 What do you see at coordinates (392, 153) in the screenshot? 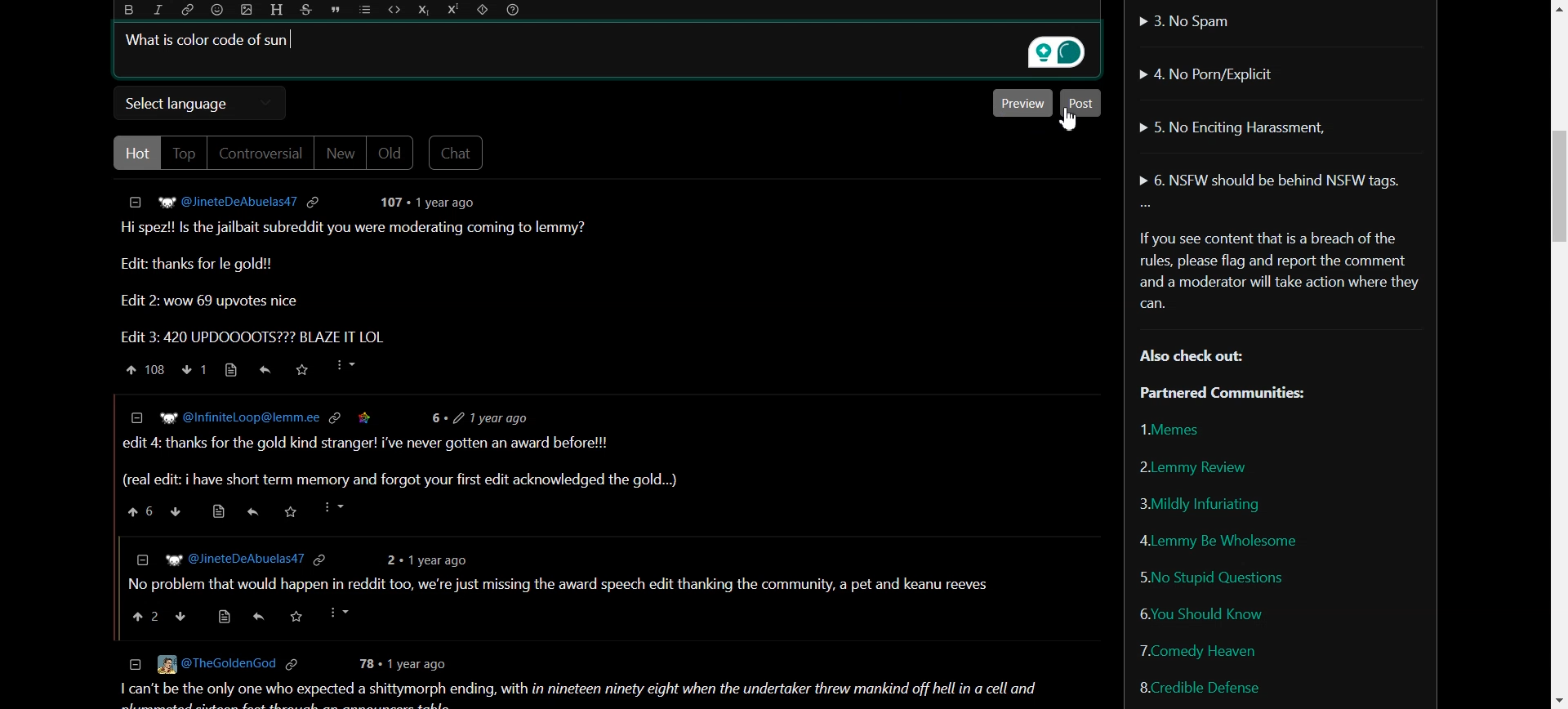
I see `Old` at bounding box center [392, 153].